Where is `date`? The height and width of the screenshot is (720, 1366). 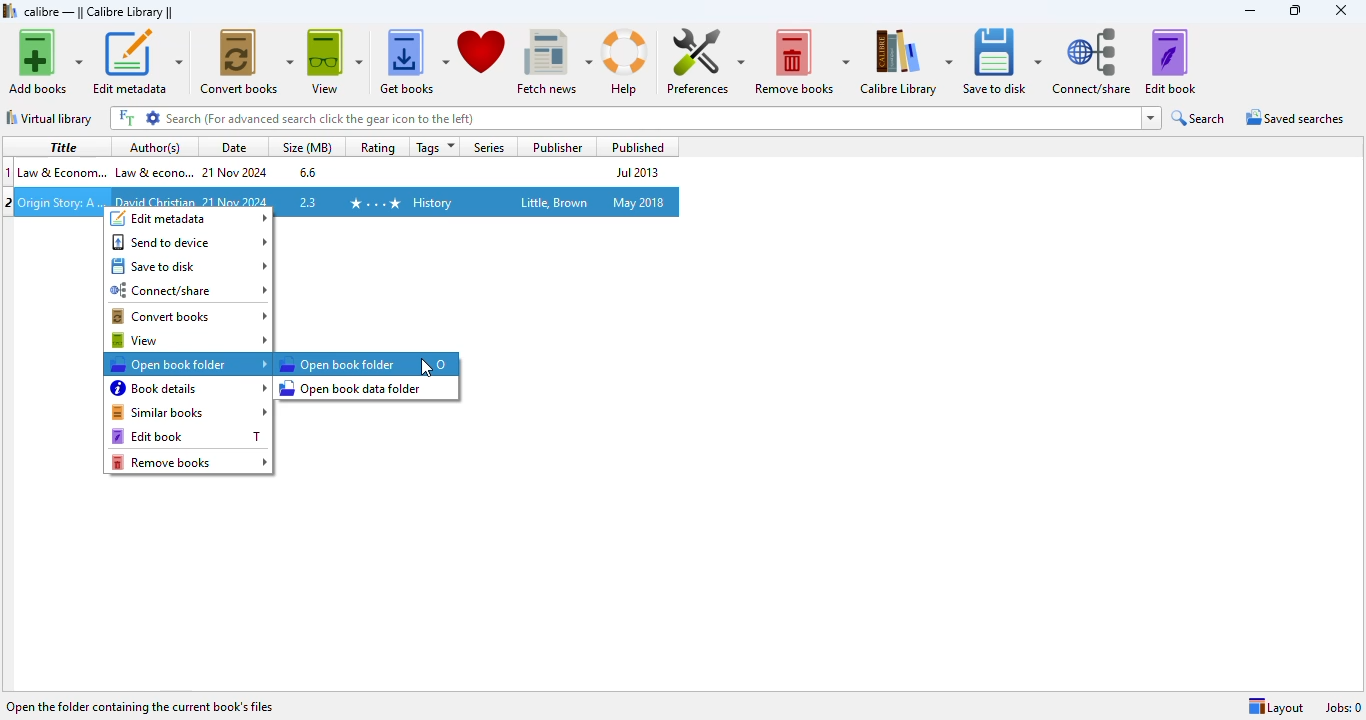
date is located at coordinates (231, 147).